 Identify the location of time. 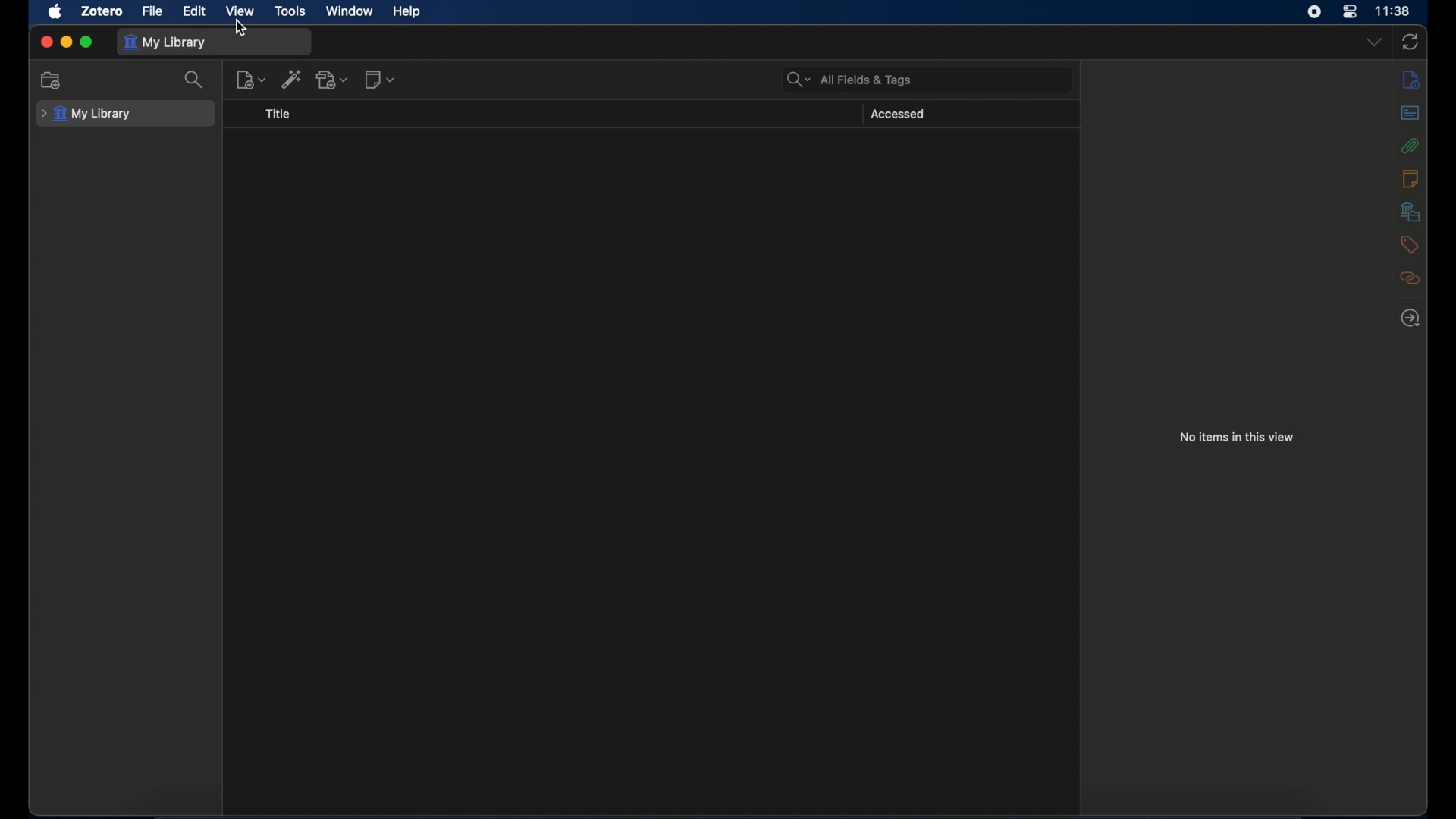
(1393, 11).